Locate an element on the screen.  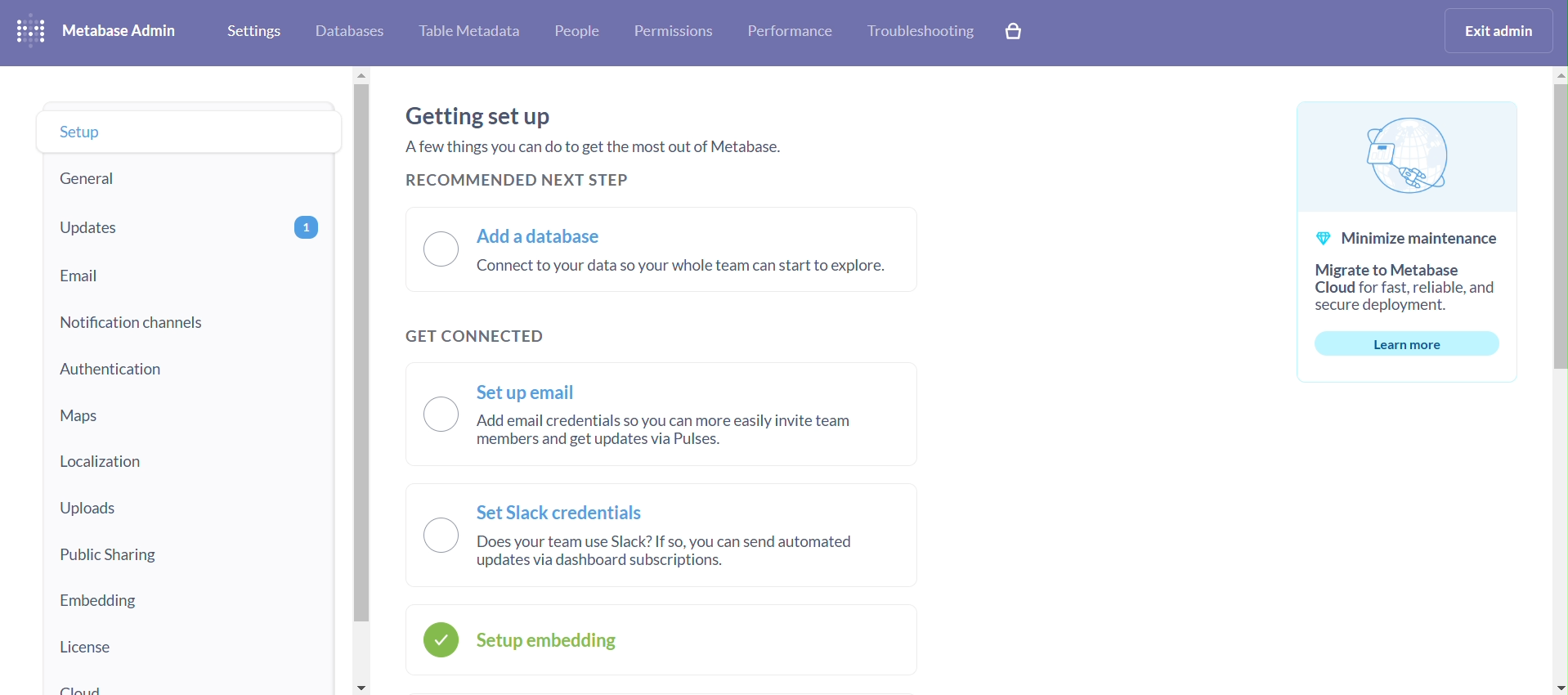
vertical scroll bar is located at coordinates (362, 380).